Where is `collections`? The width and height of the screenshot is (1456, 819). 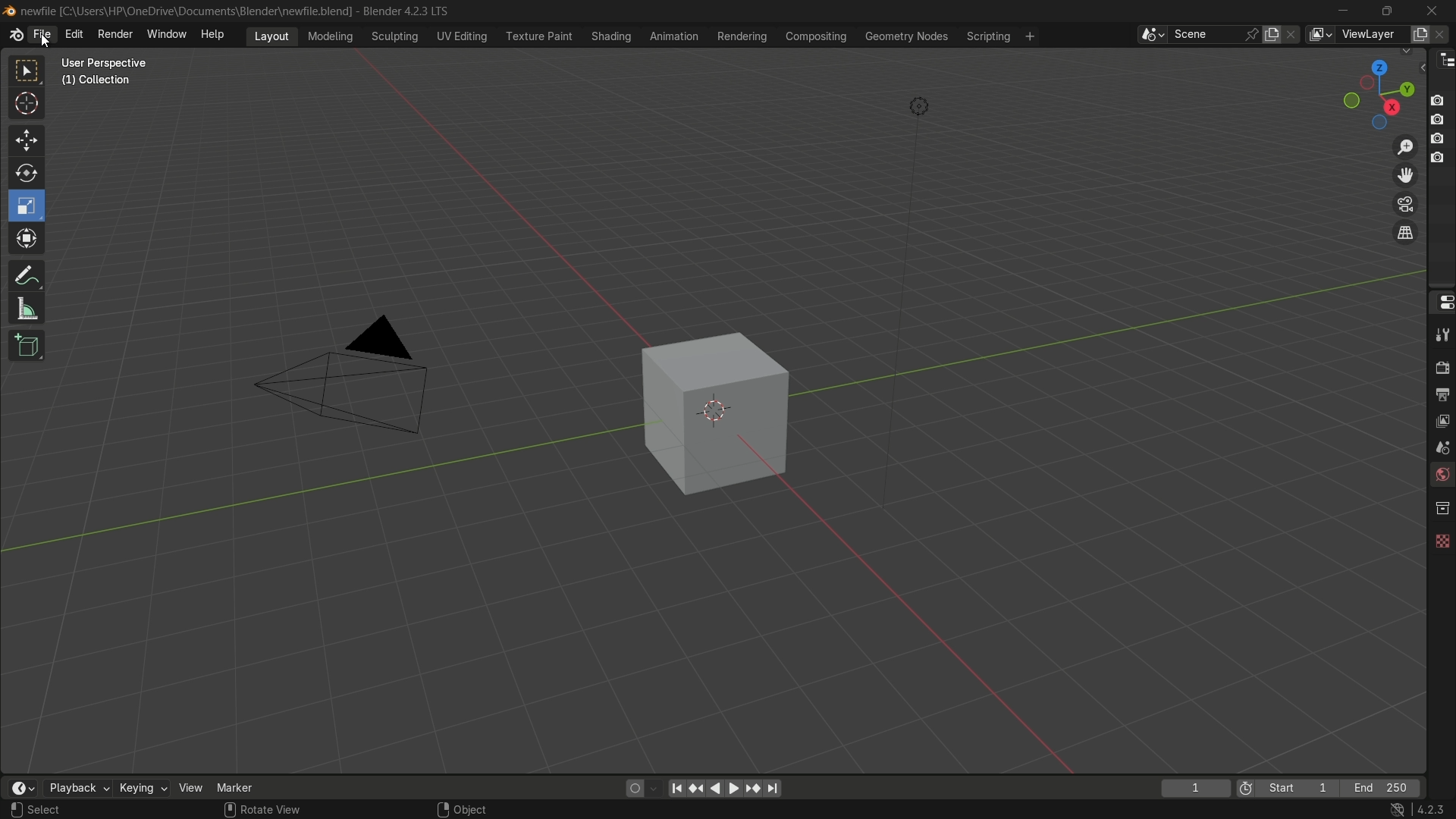
collections is located at coordinates (1442, 508).